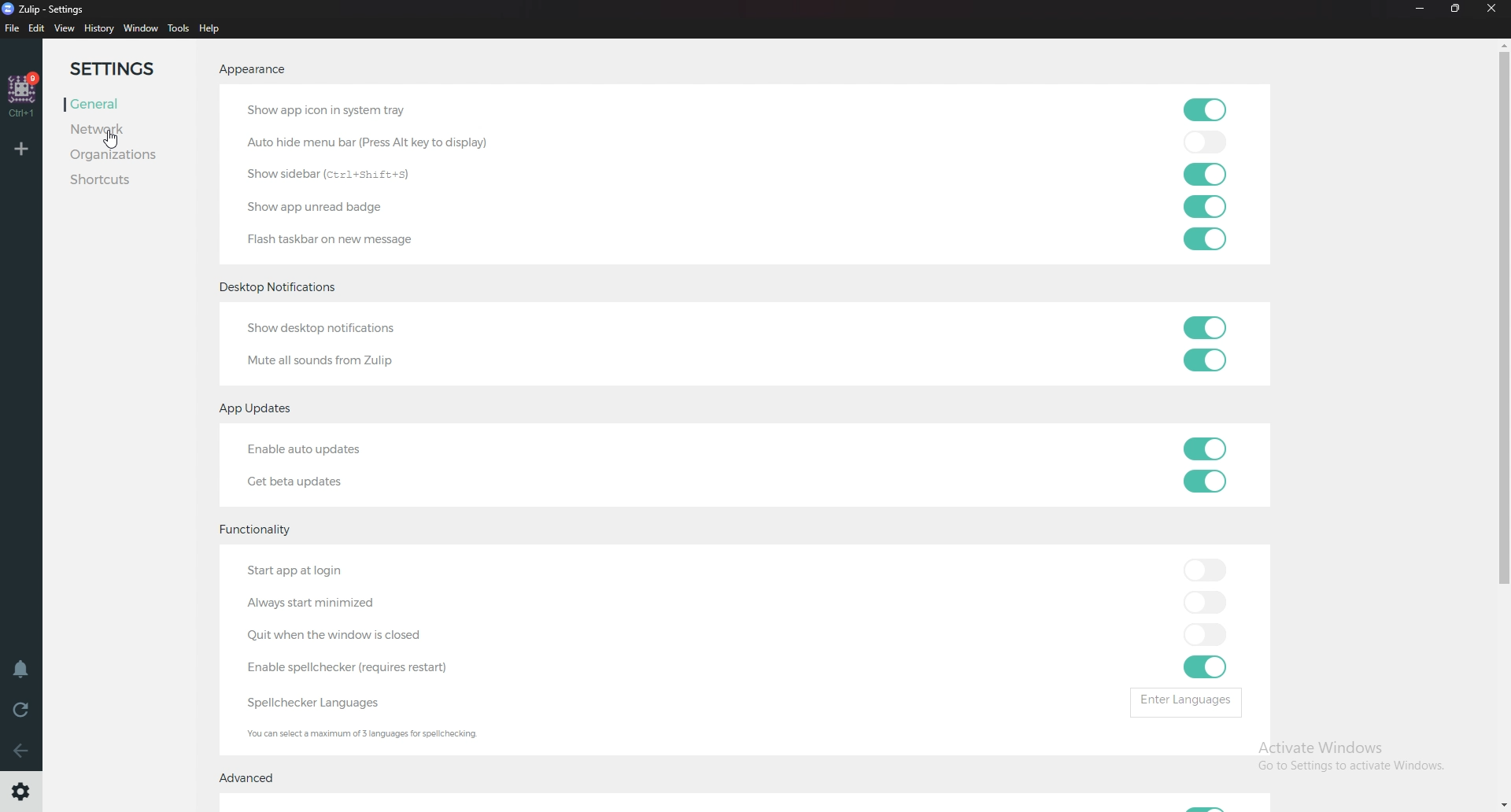 This screenshot has width=1511, height=812. What do you see at coordinates (140, 28) in the screenshot?
I see `window` at bounding box center [140, 28].